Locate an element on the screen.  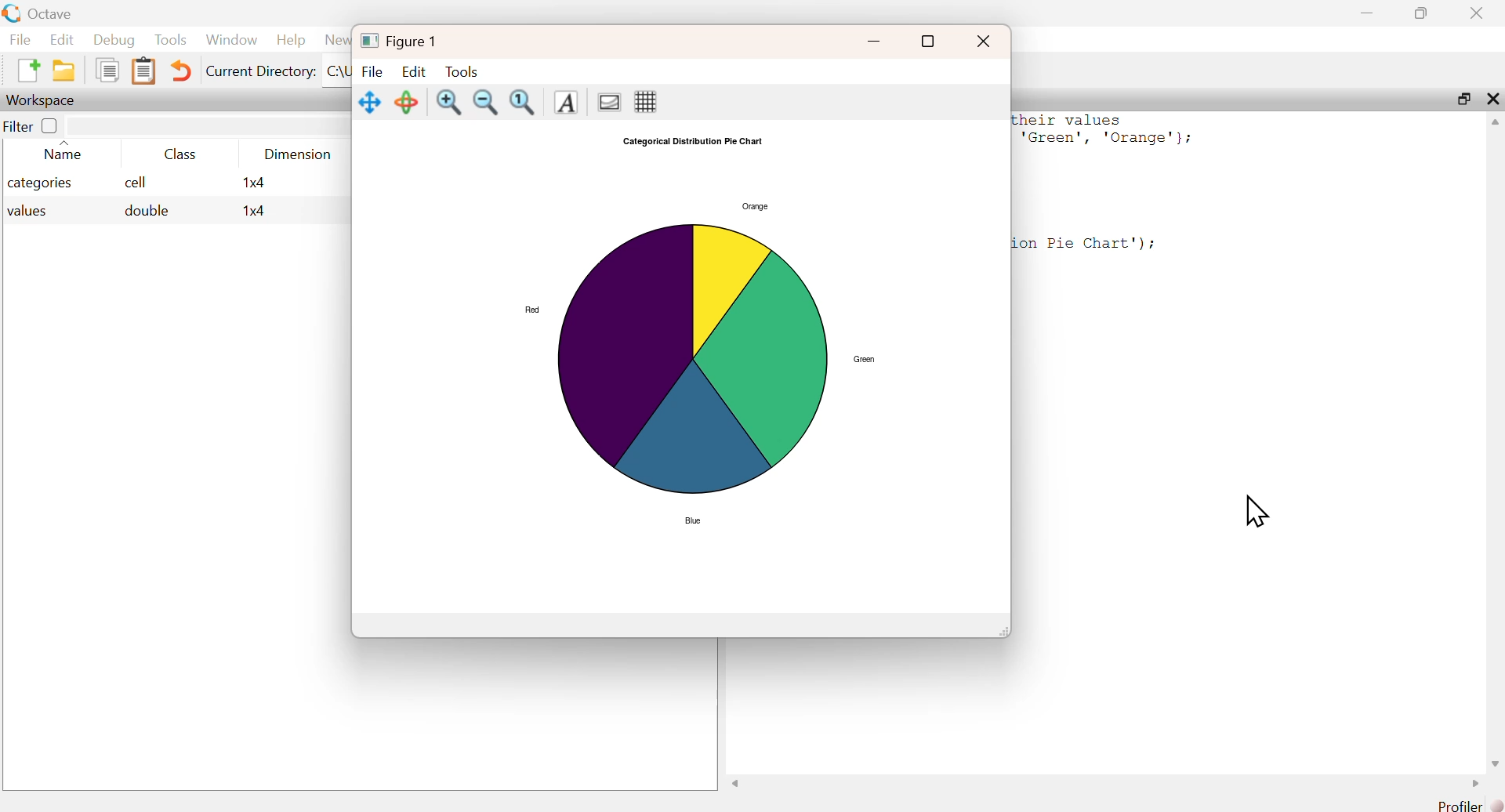
Octave is located at coordinates (53, 14).